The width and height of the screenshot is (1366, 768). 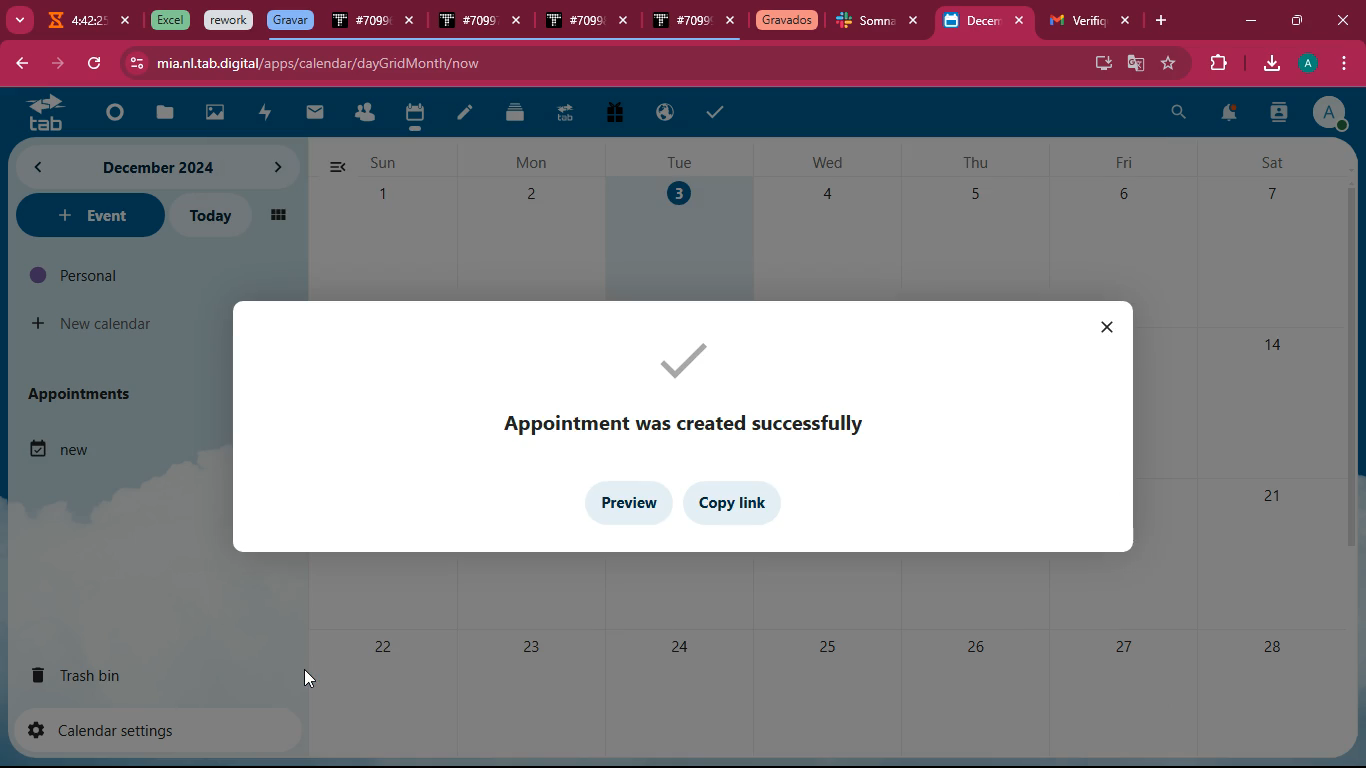 What do you see at coordinates (573, 22) in the screenshot?
I see `tab` at bounding box center [573, 22].